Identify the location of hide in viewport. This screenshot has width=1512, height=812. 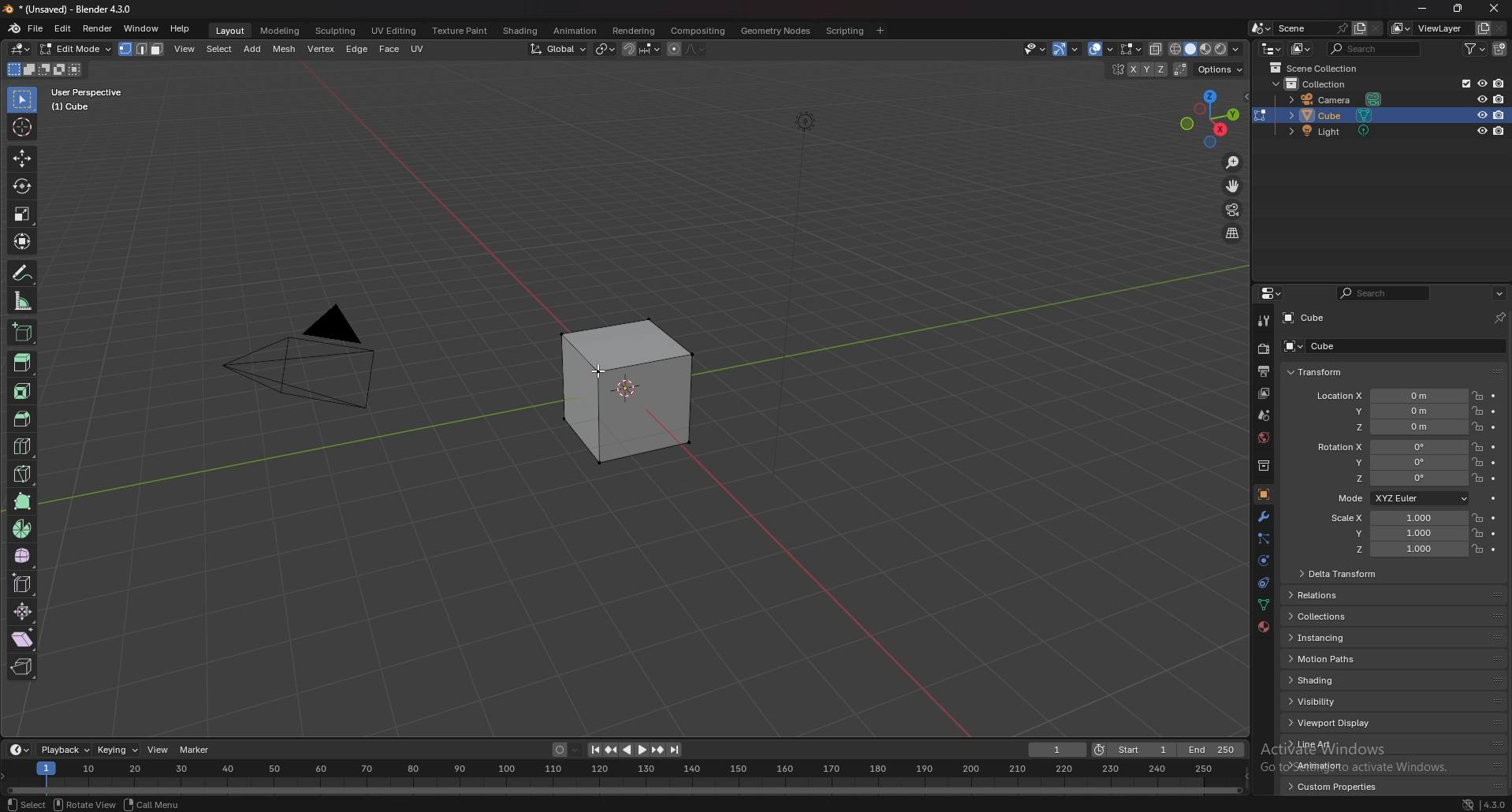
(1482, 115).